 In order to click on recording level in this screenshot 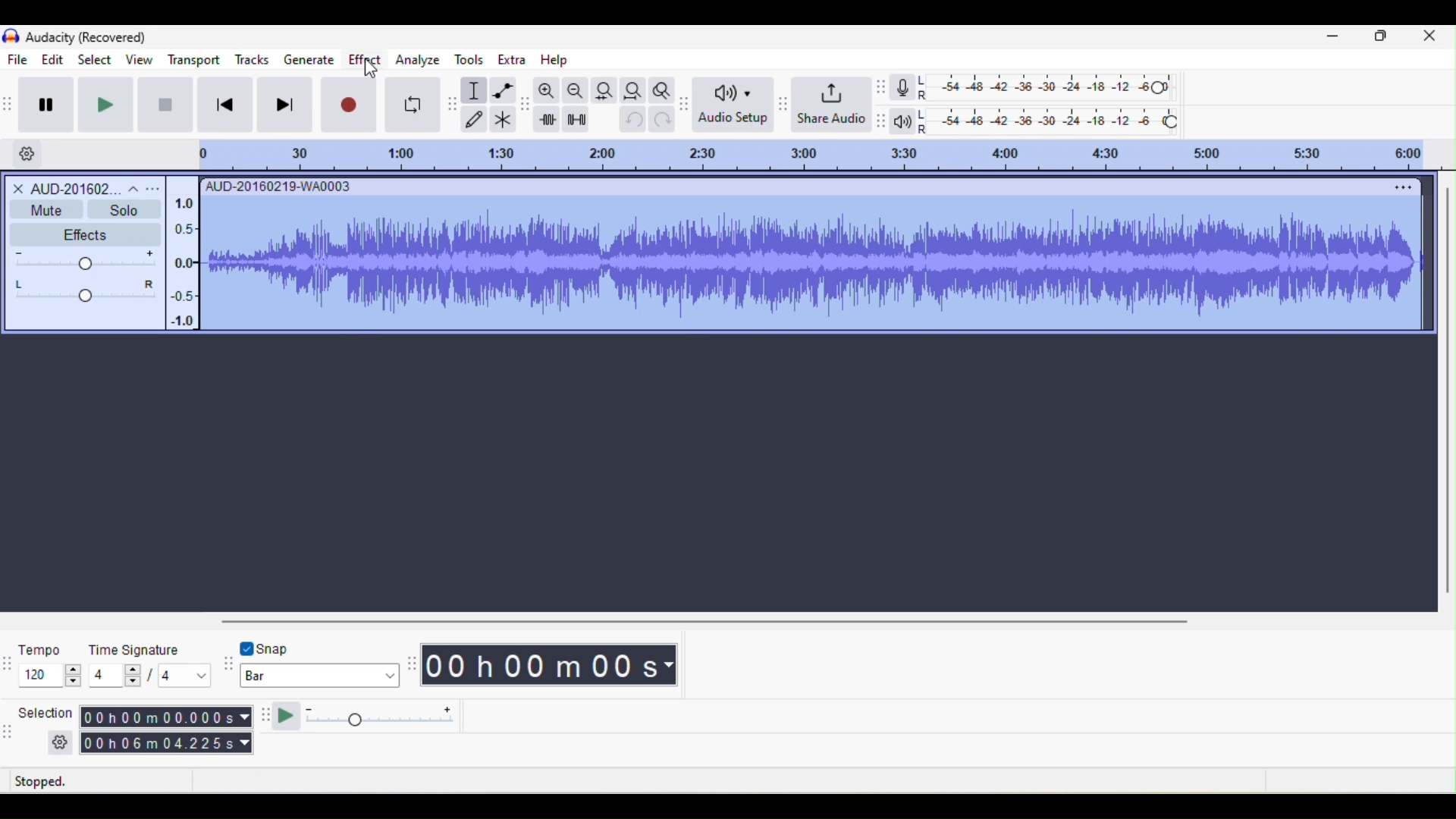, I will do `click(1047, 86)`.